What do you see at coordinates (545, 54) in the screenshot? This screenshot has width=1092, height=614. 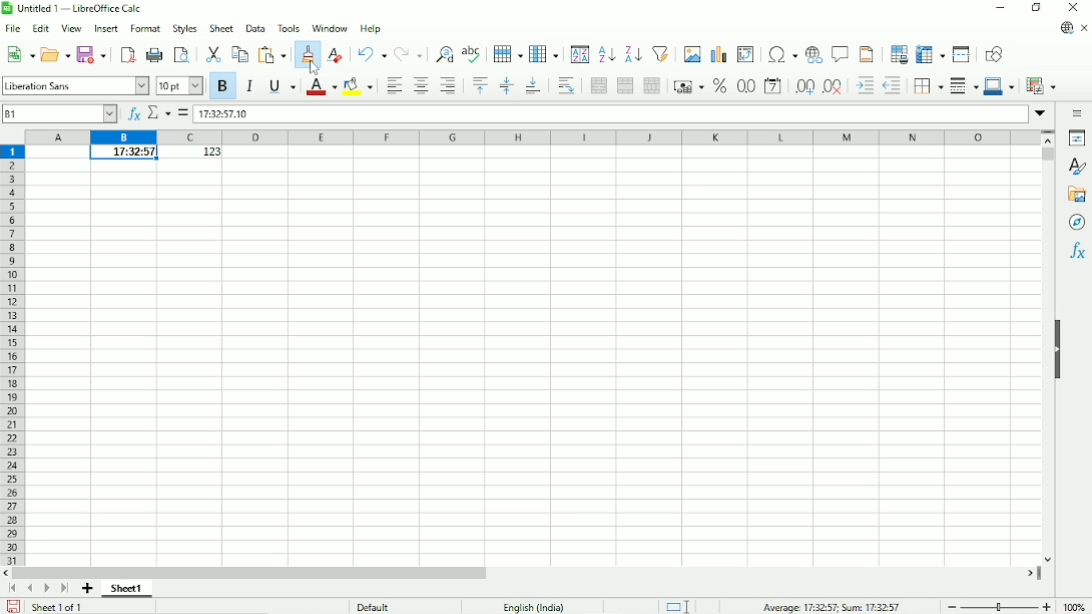 I see `Columns` at bounding box center [545, 54].